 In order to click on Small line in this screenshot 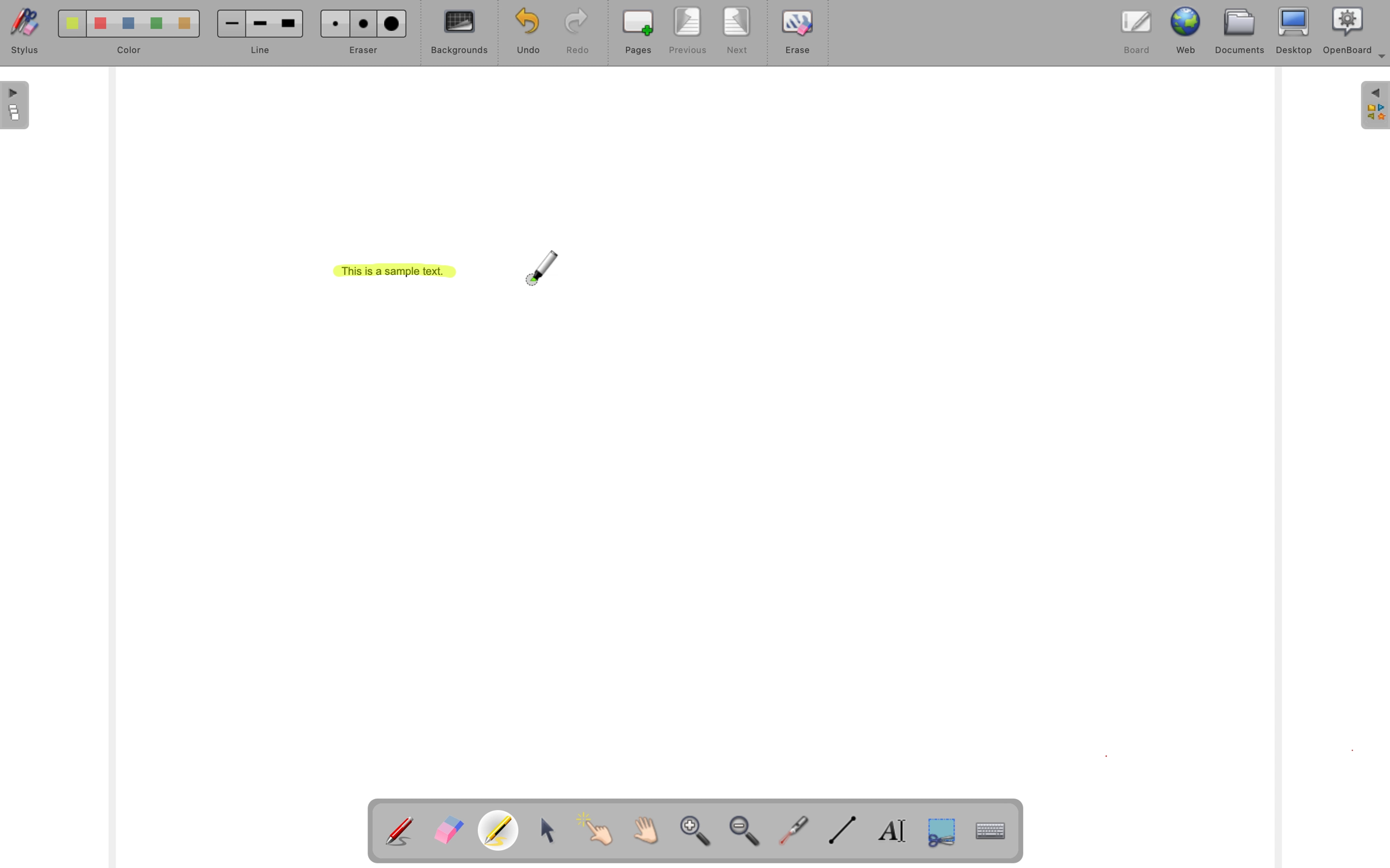, I will do `click(232, 24)`.